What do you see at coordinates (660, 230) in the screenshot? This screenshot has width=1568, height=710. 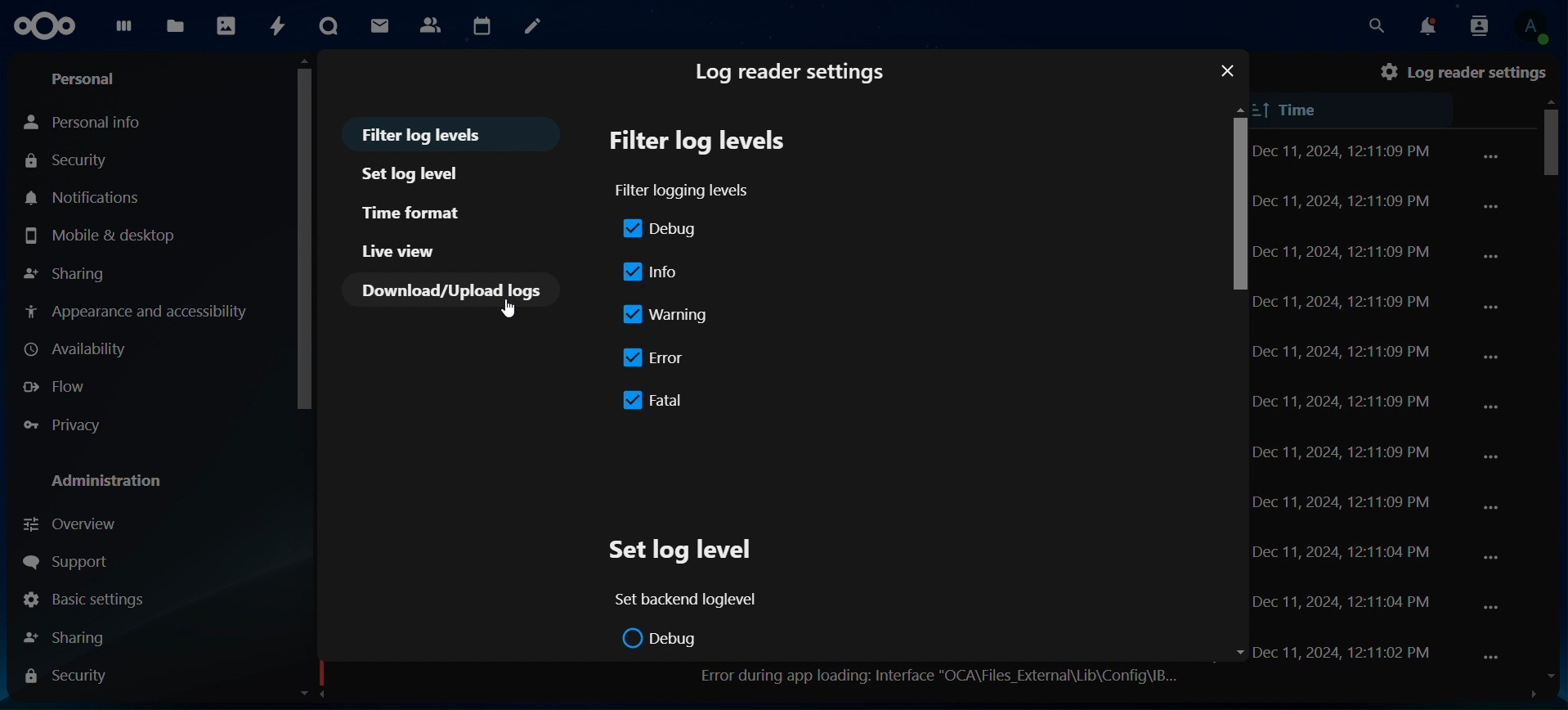 I see `debug` at bounding box center [660, 230].